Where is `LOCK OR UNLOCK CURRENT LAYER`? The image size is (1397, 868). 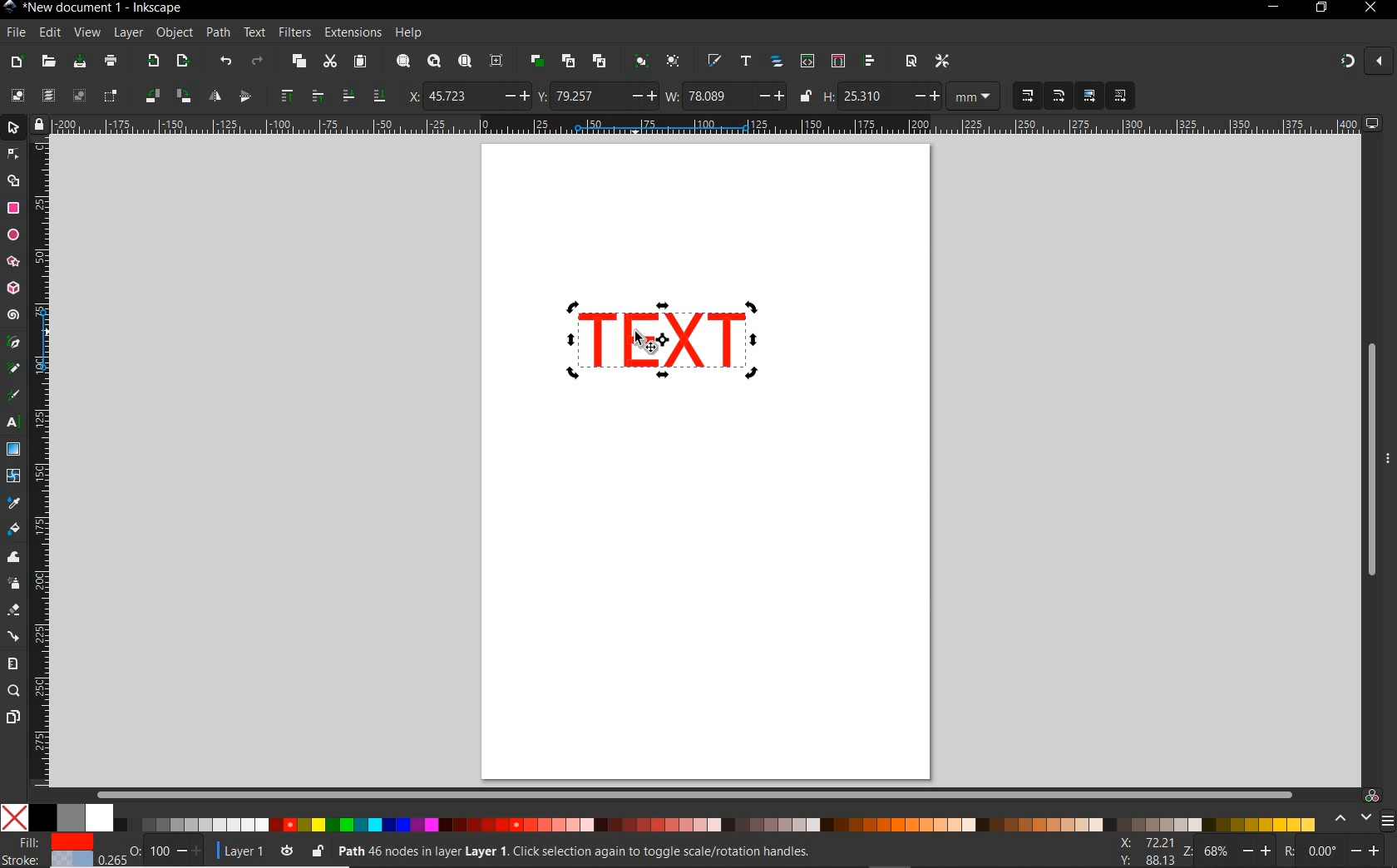 LOCK OR UNLOCK CURRENT LAYER is located at coordinates (317, 853).